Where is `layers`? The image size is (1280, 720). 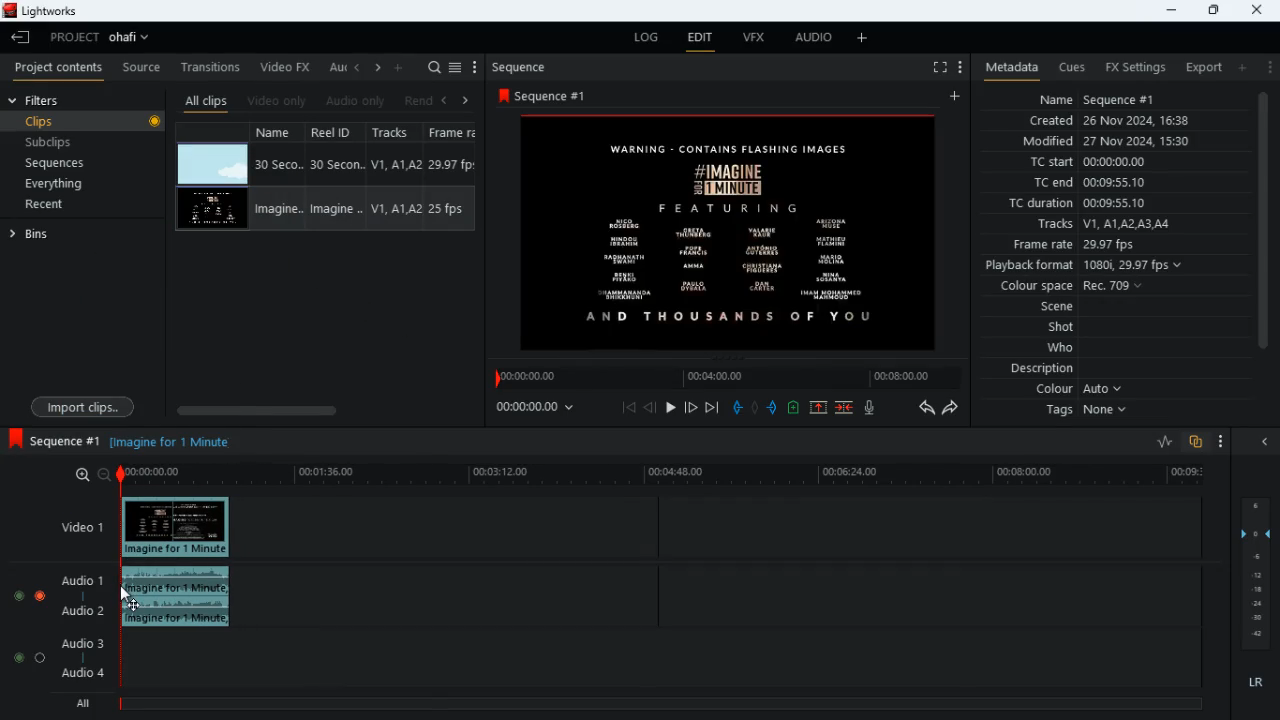
layers is located at coordinates (1259, 573).